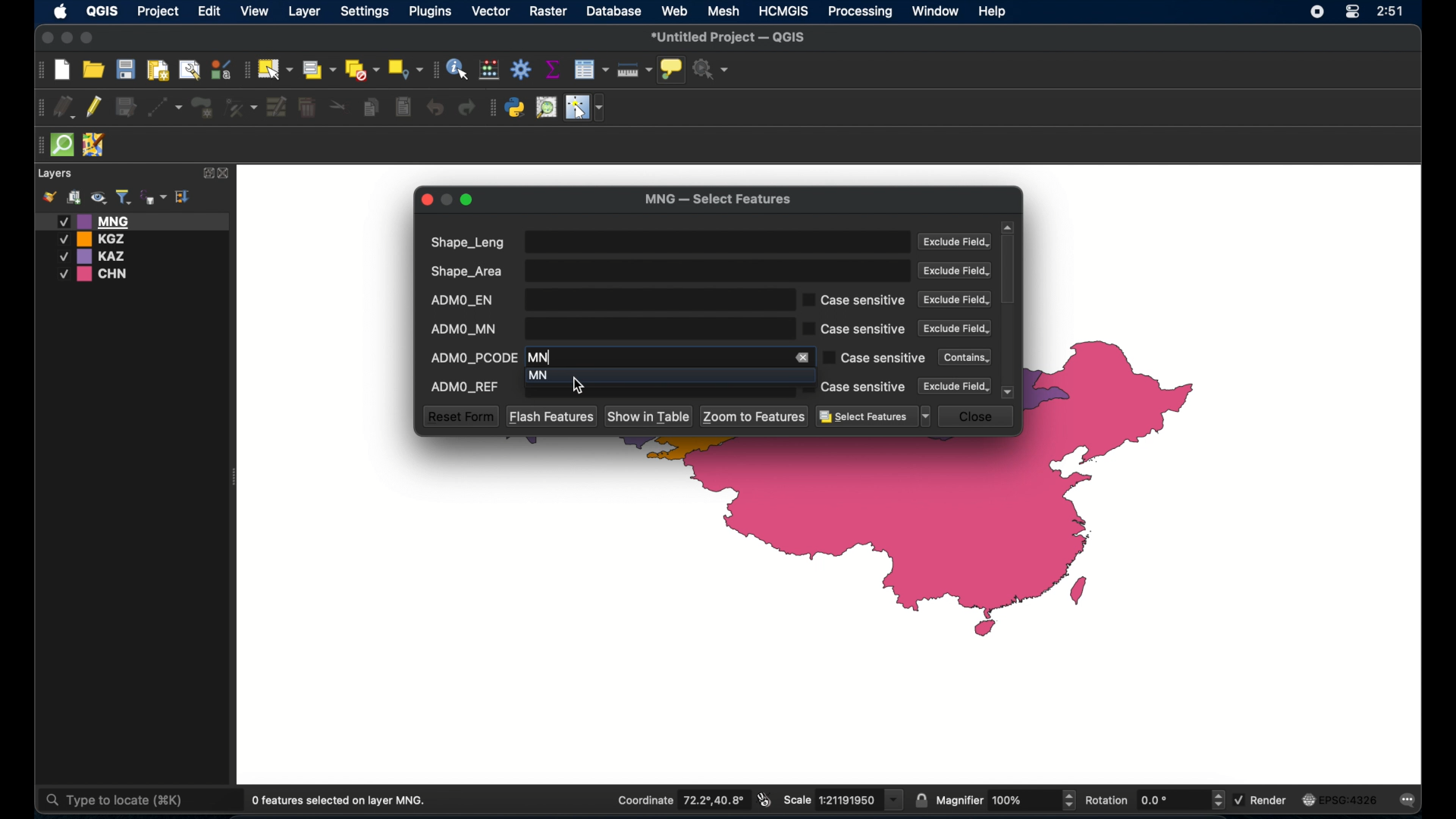  What do you see at coordinates (206, 173) in the screenshot?
I see `expand` at bounding box center [206, 173].